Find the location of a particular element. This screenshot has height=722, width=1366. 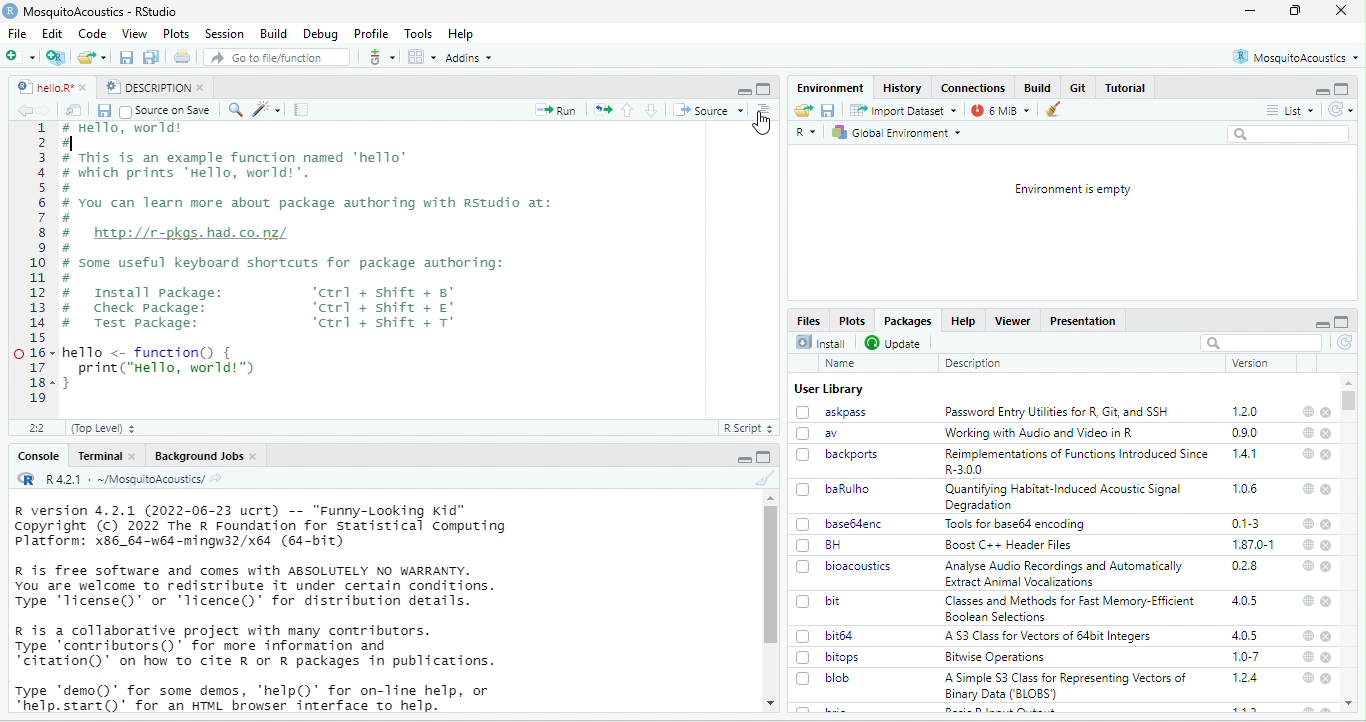

Show document outline is located at coordinates (766, 110).